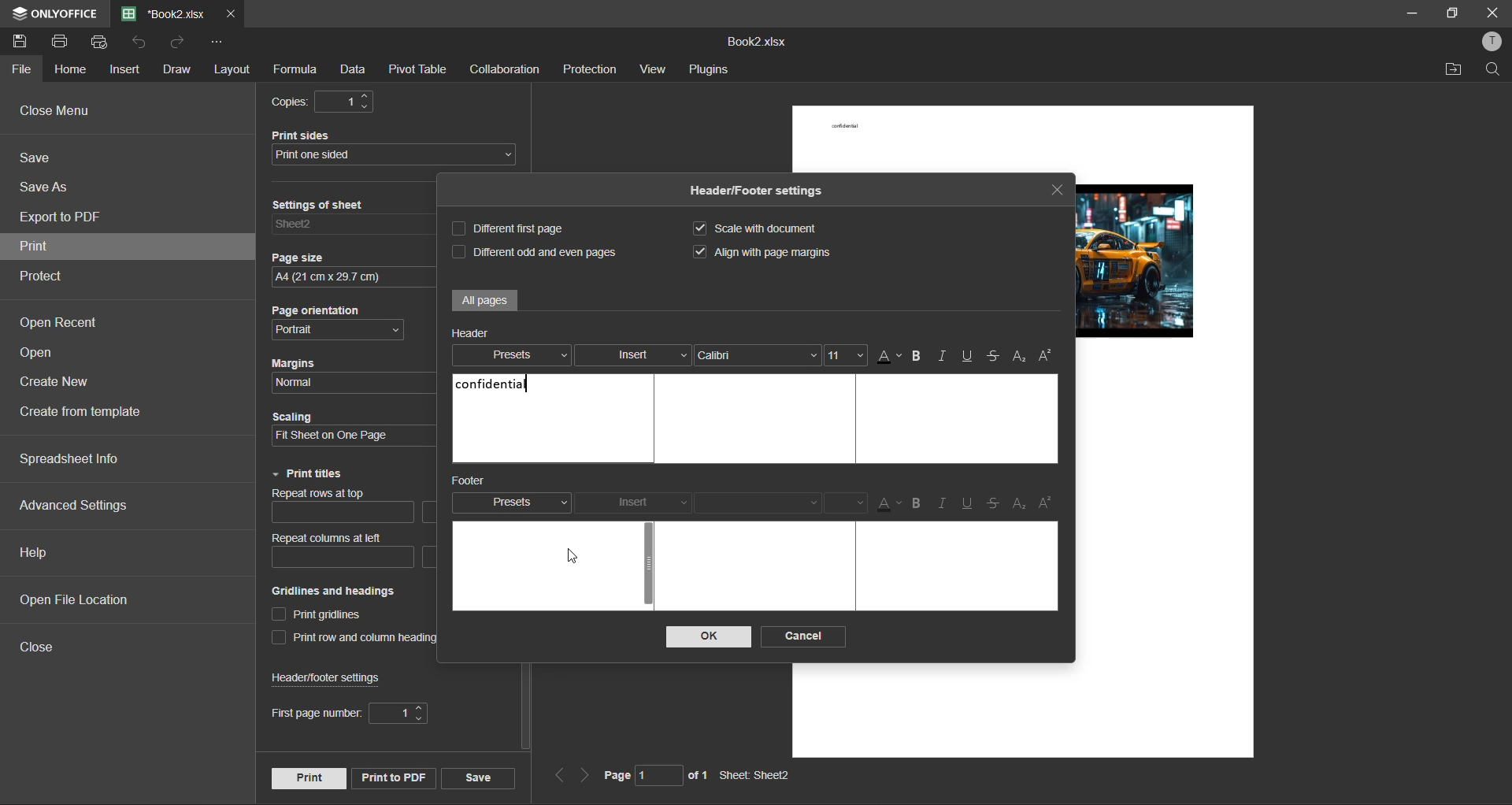  I want to click on profile, so click(1493, 41).